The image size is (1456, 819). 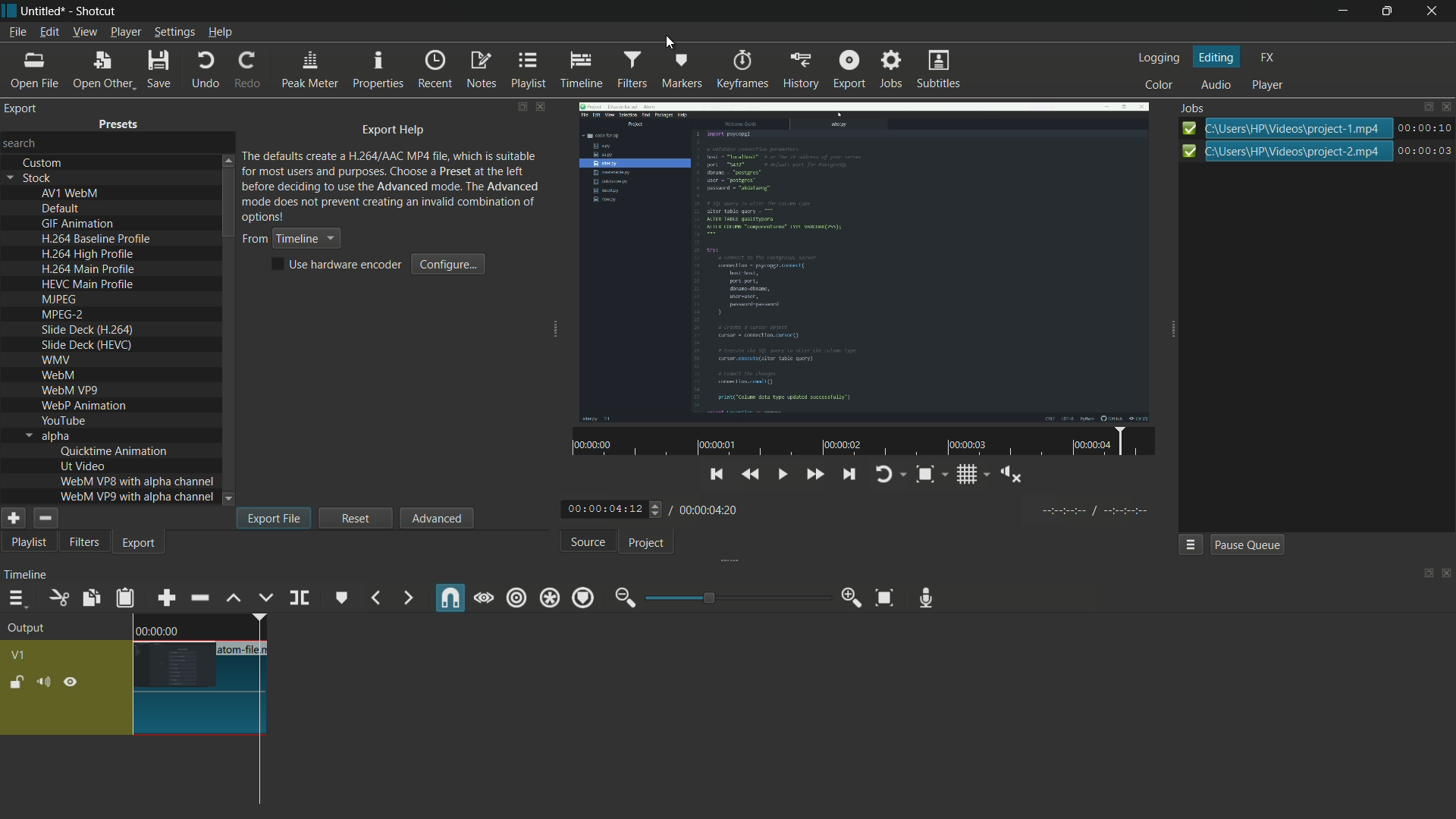 I want to click on previous marker, so click(x=374, y=599).